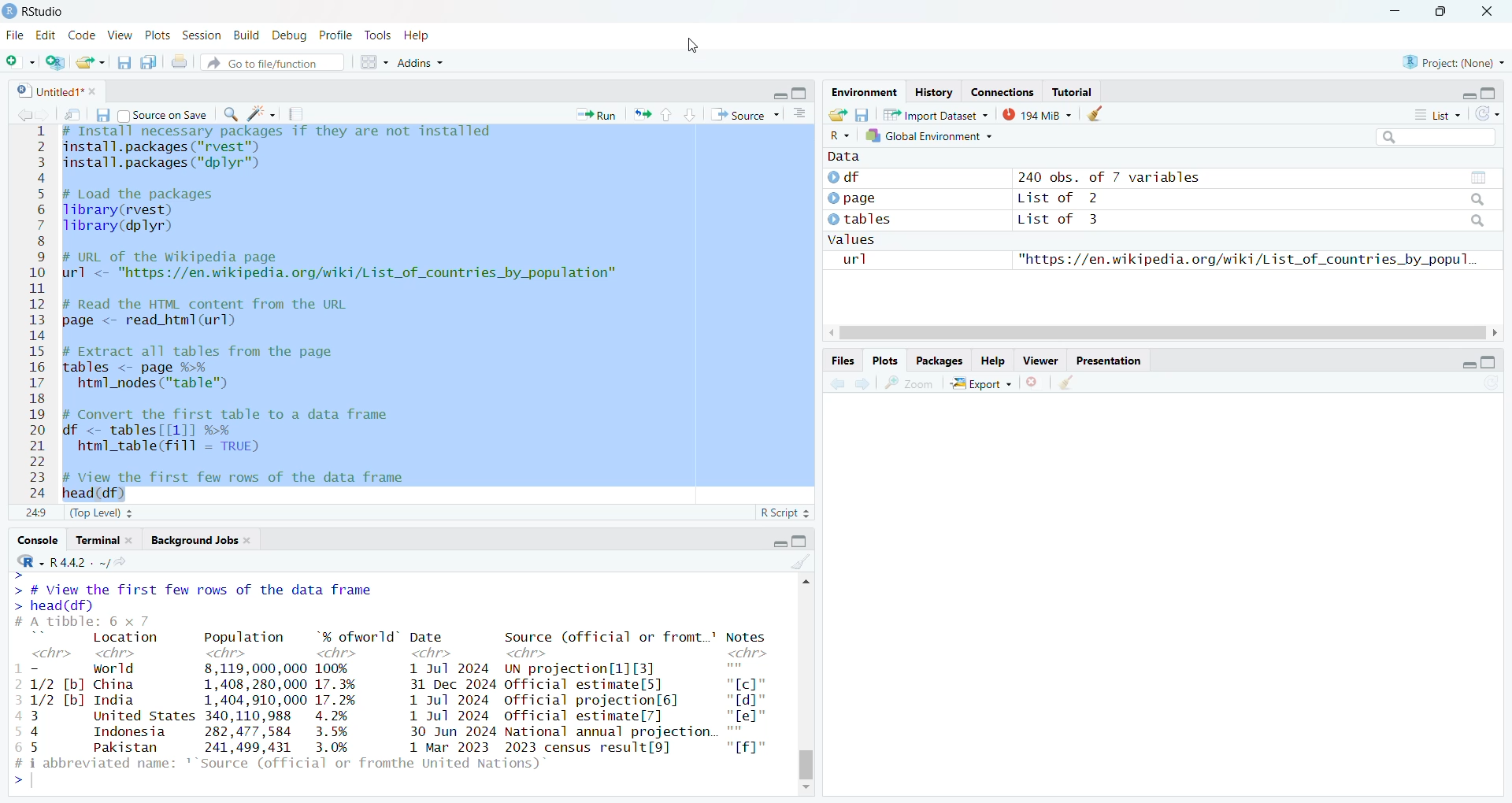 The image size is (1512, 803). What do you see at coordinates (1073, 92) in the screenshot?
I see `Tutorial` at bounding box center [1073, 92].